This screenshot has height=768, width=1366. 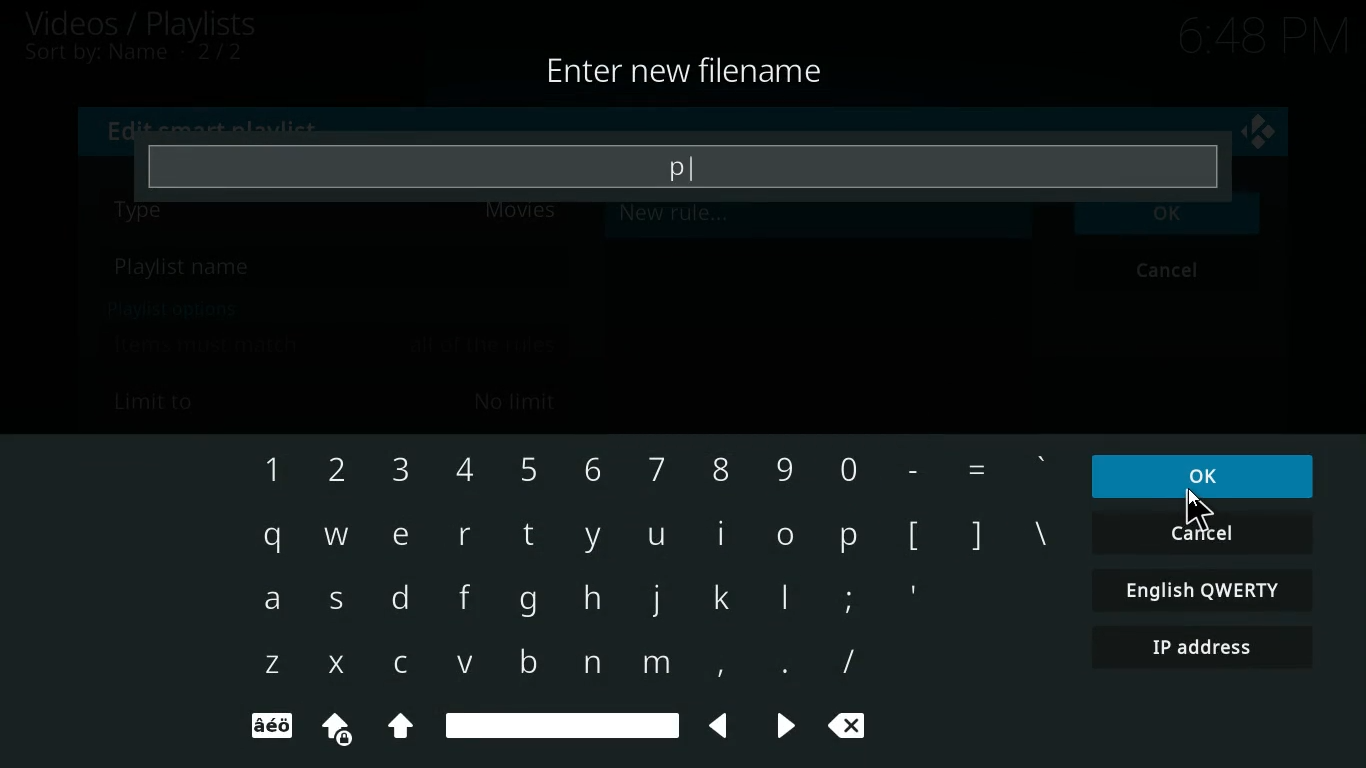 I want to click on n, so click(x=590, y=664).